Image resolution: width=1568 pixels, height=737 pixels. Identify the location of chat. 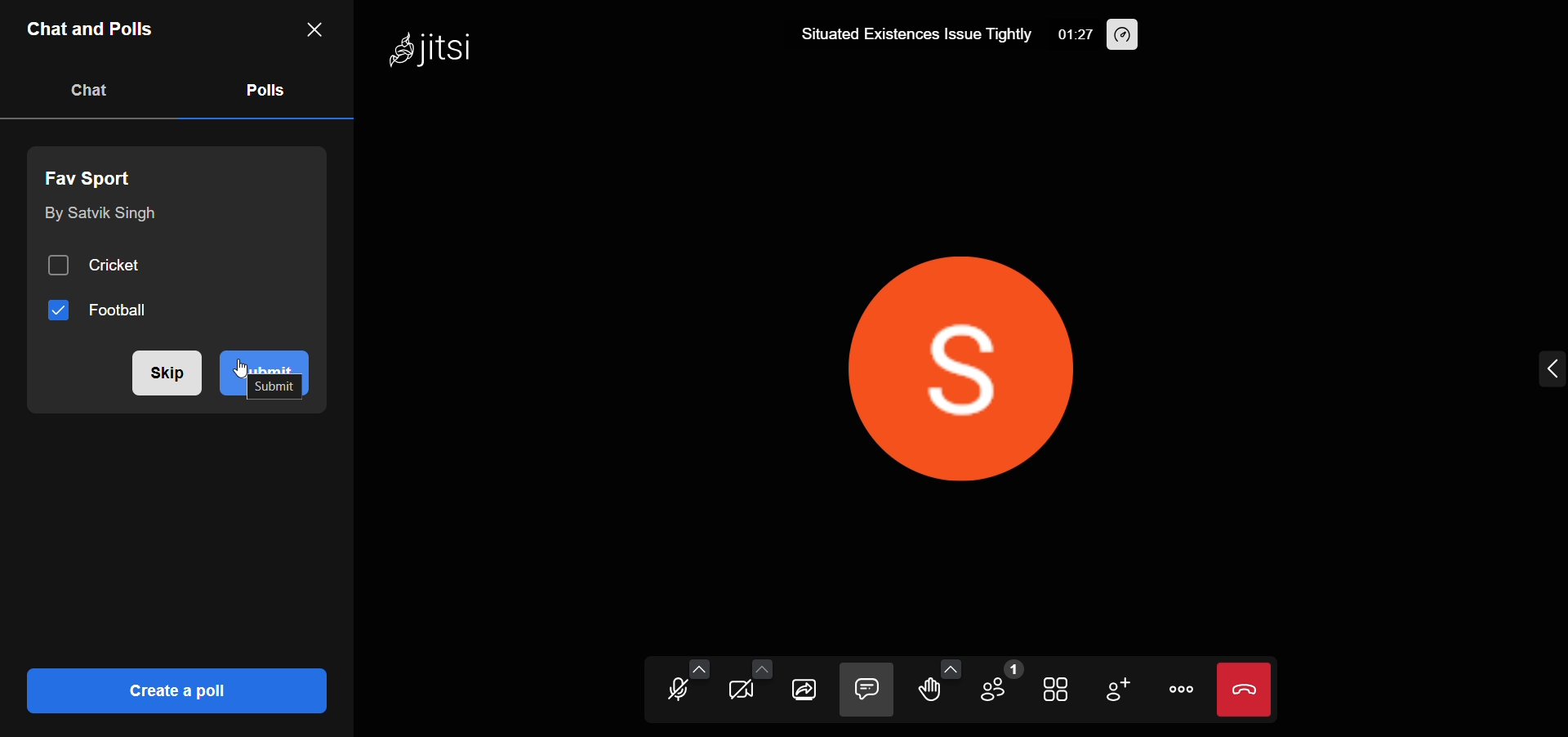
(868, 688).